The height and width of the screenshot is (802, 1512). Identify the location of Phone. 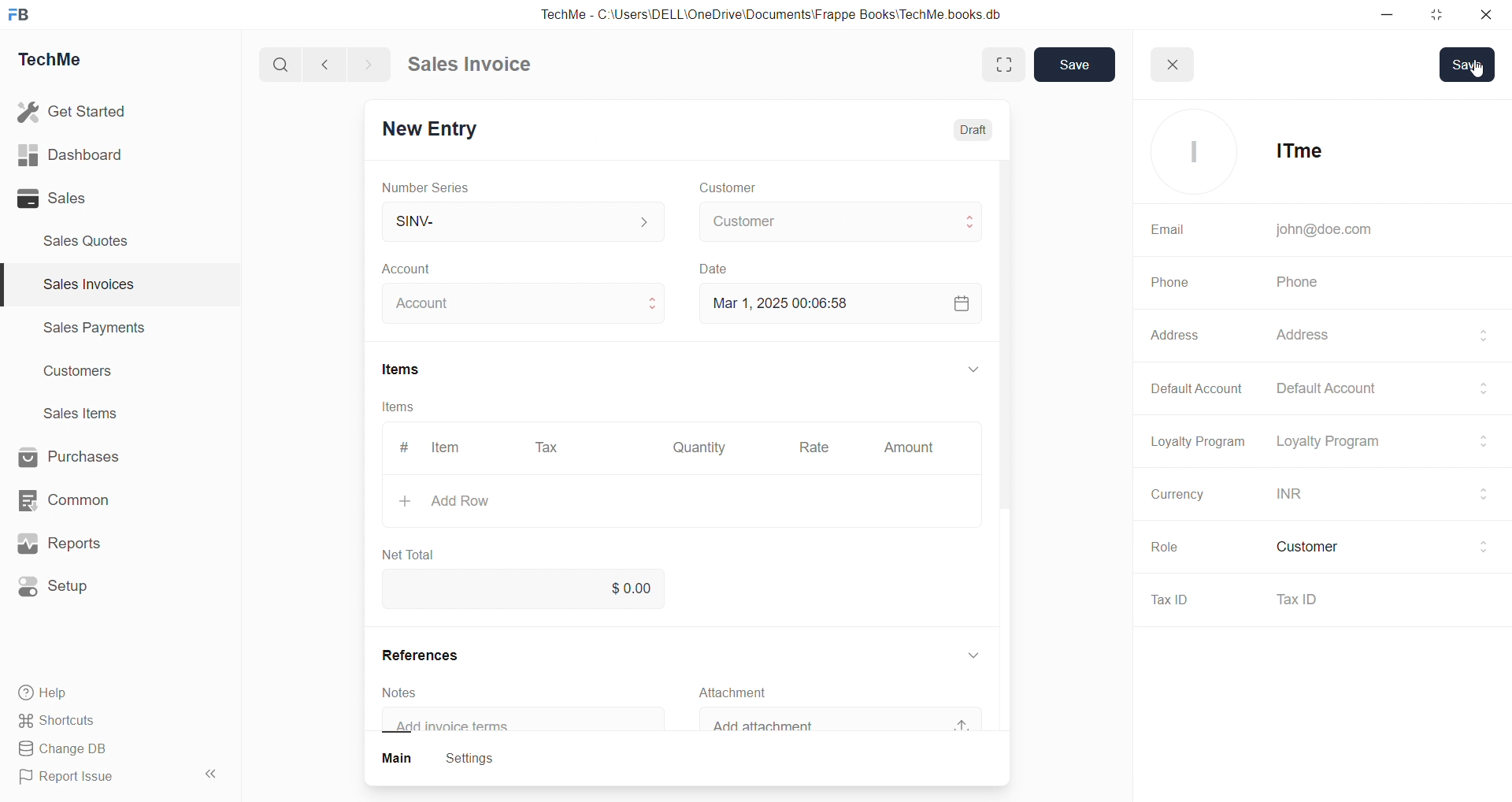
(1302, 283).